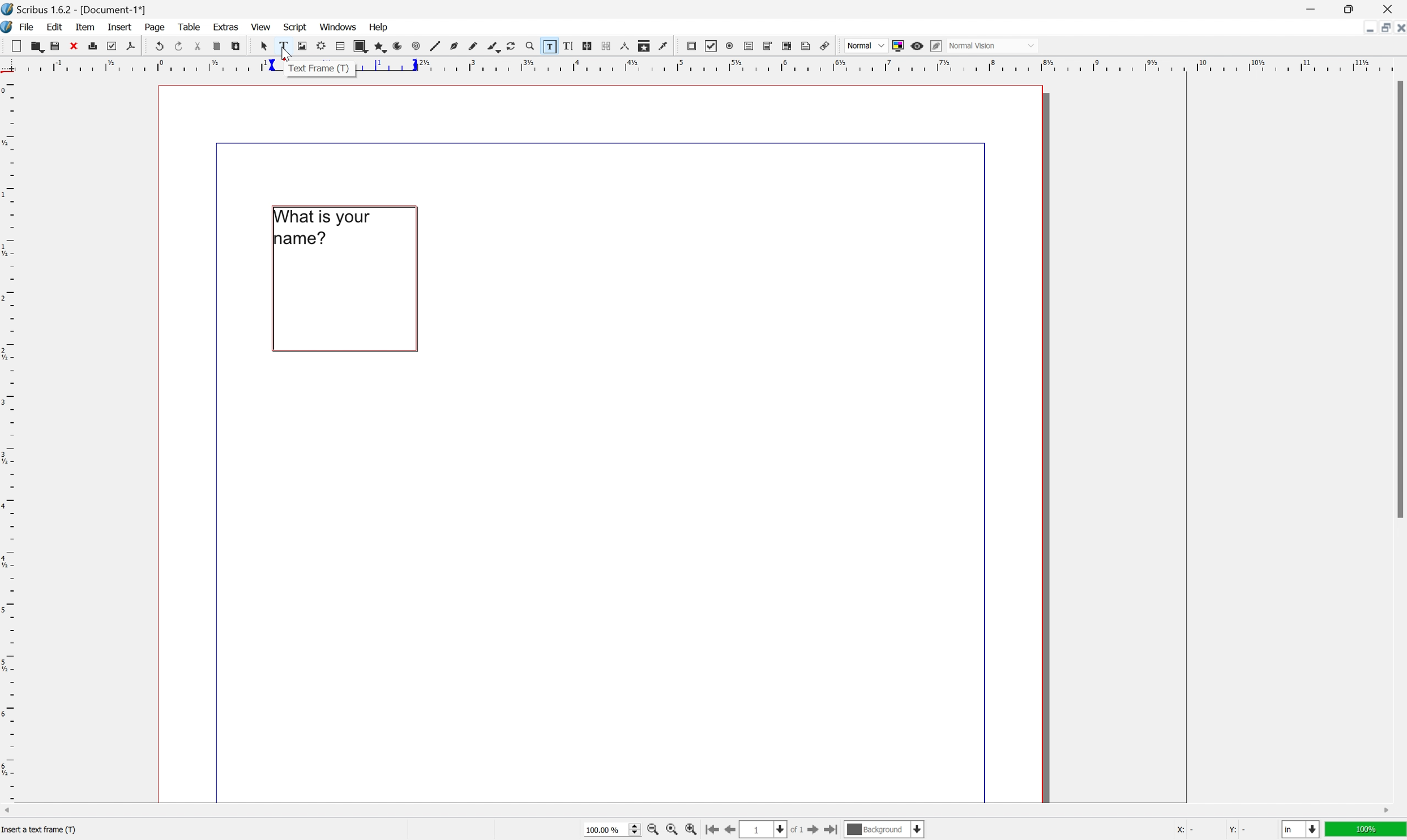 The image size is (1407, 840). I want to click on cursor, so click(320, 278).